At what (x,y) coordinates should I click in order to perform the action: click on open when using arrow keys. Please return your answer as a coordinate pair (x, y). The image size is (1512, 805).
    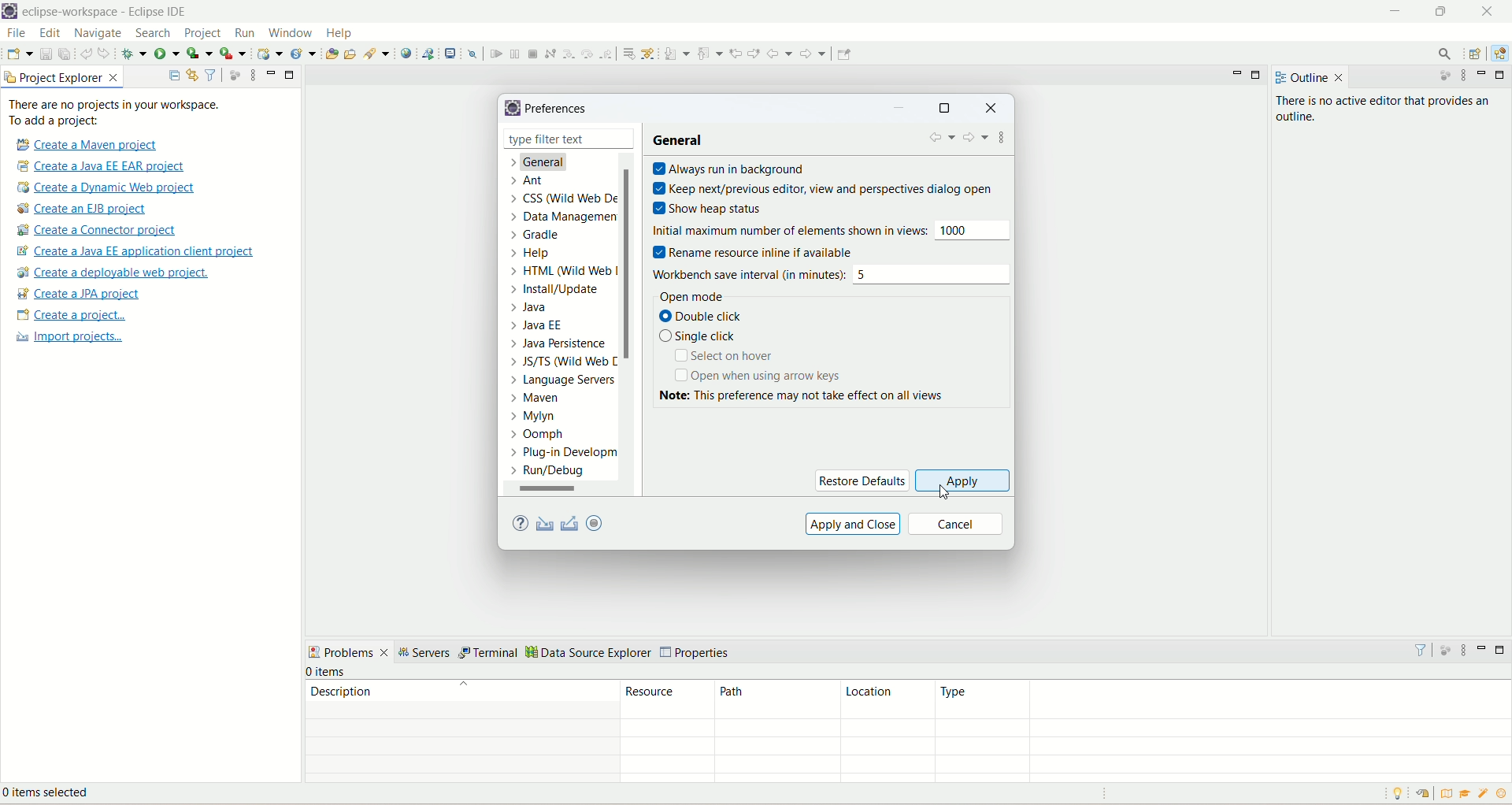
    Looking at the image, I should click on (757, 376).